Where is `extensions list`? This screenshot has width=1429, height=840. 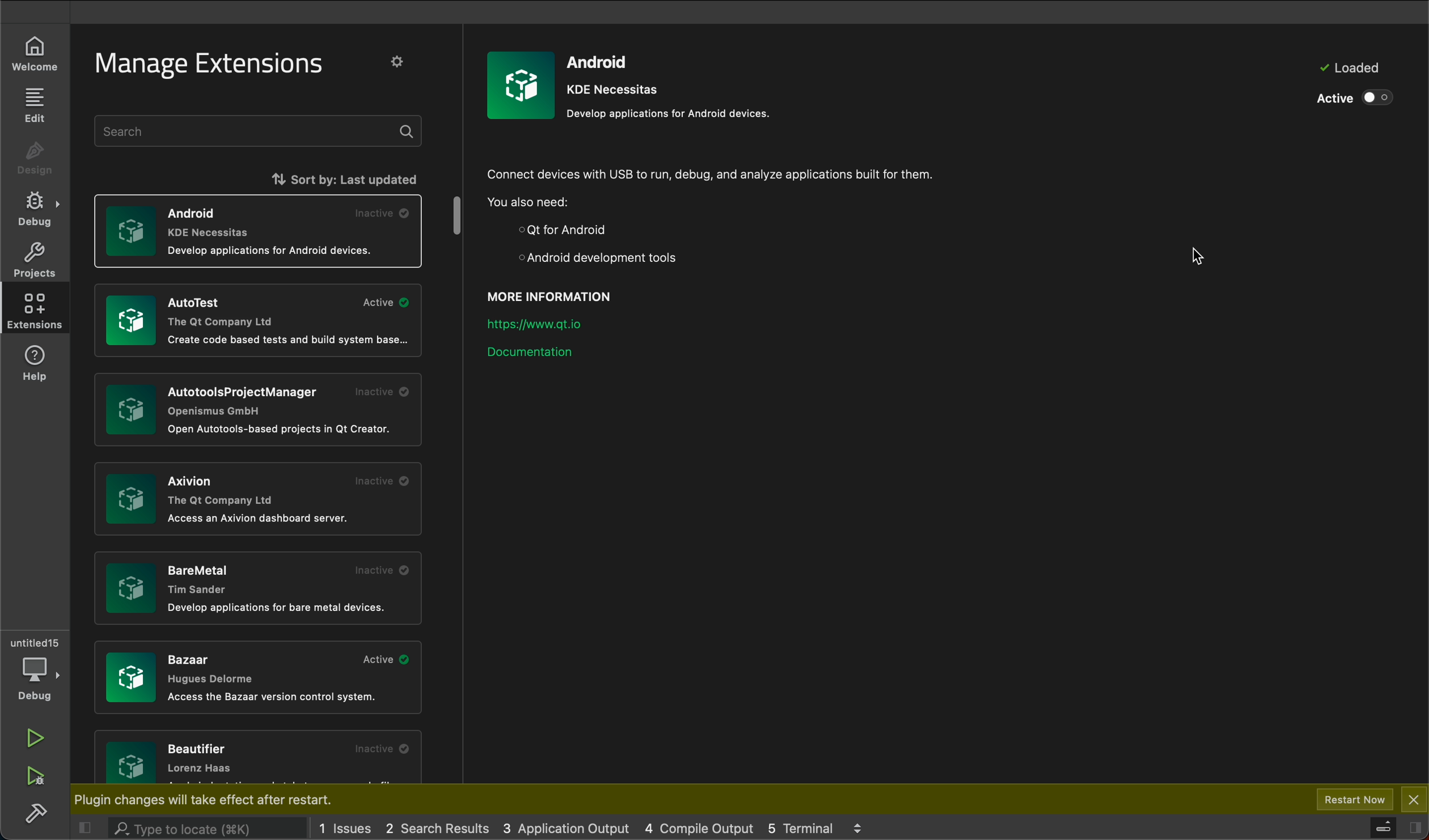 extensions list is located at coordinates (259, 679).